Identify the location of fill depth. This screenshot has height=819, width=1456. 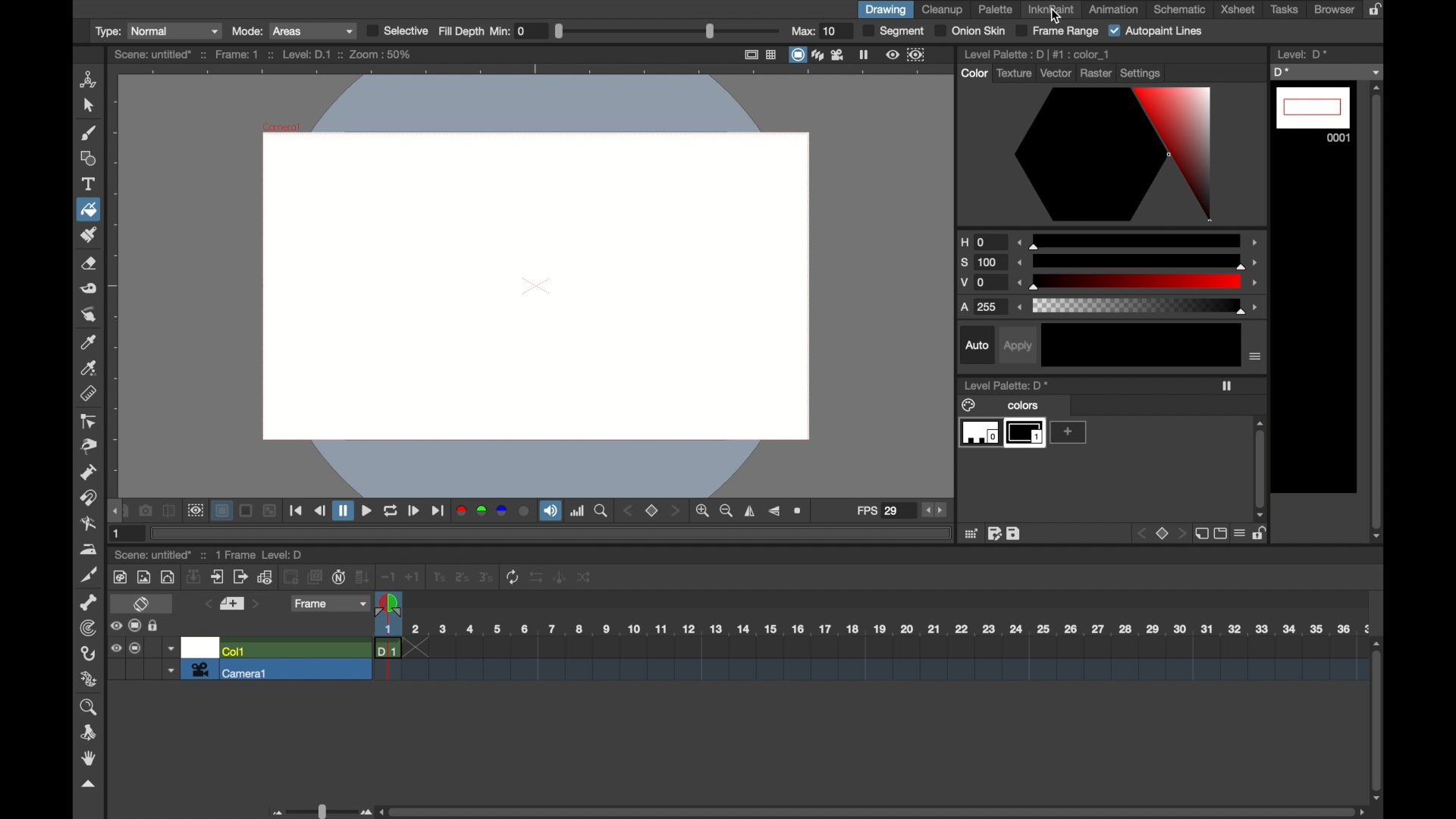
(461, 31).